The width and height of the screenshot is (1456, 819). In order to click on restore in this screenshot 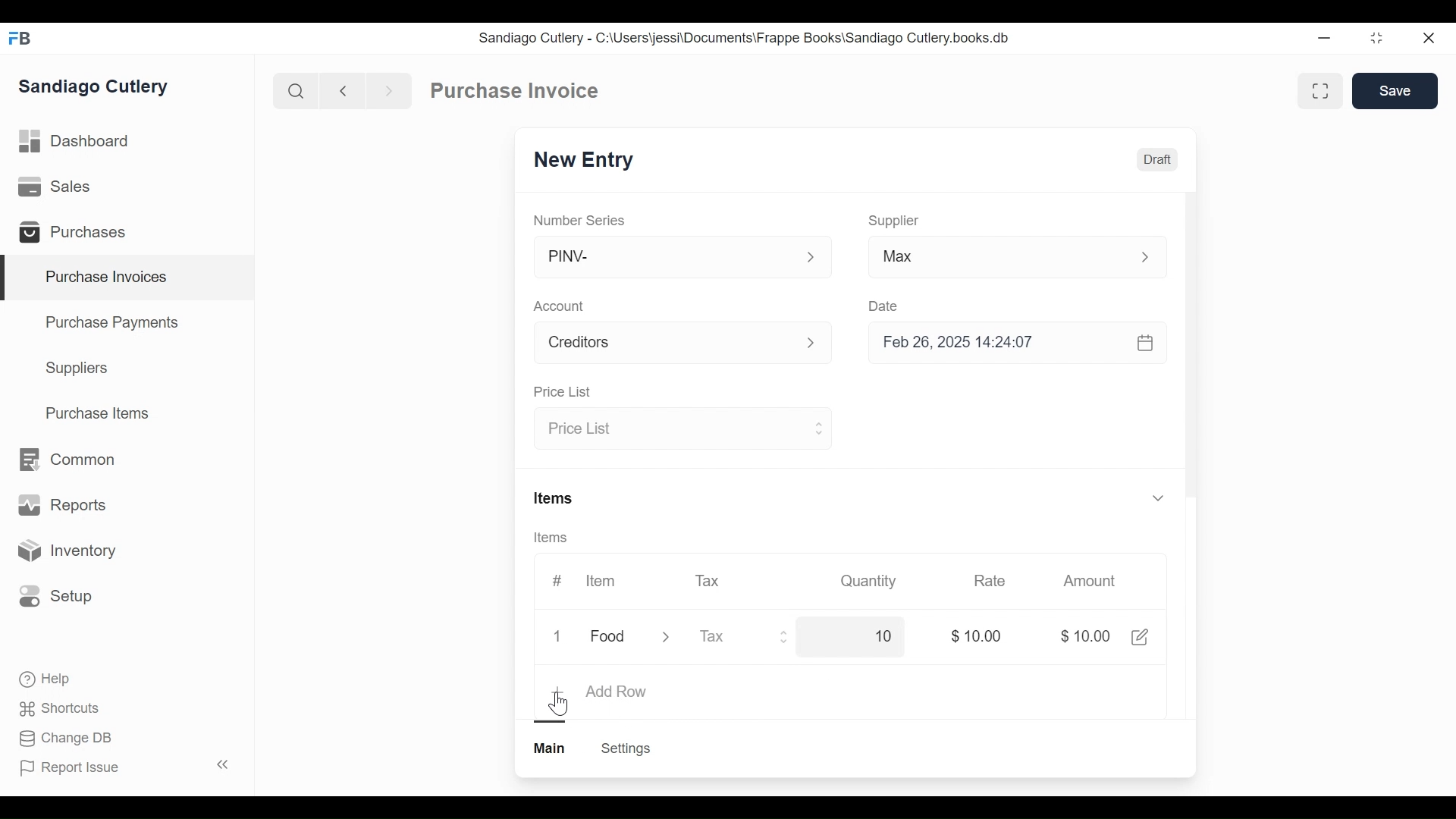, I will do `click(1375, 39)`.